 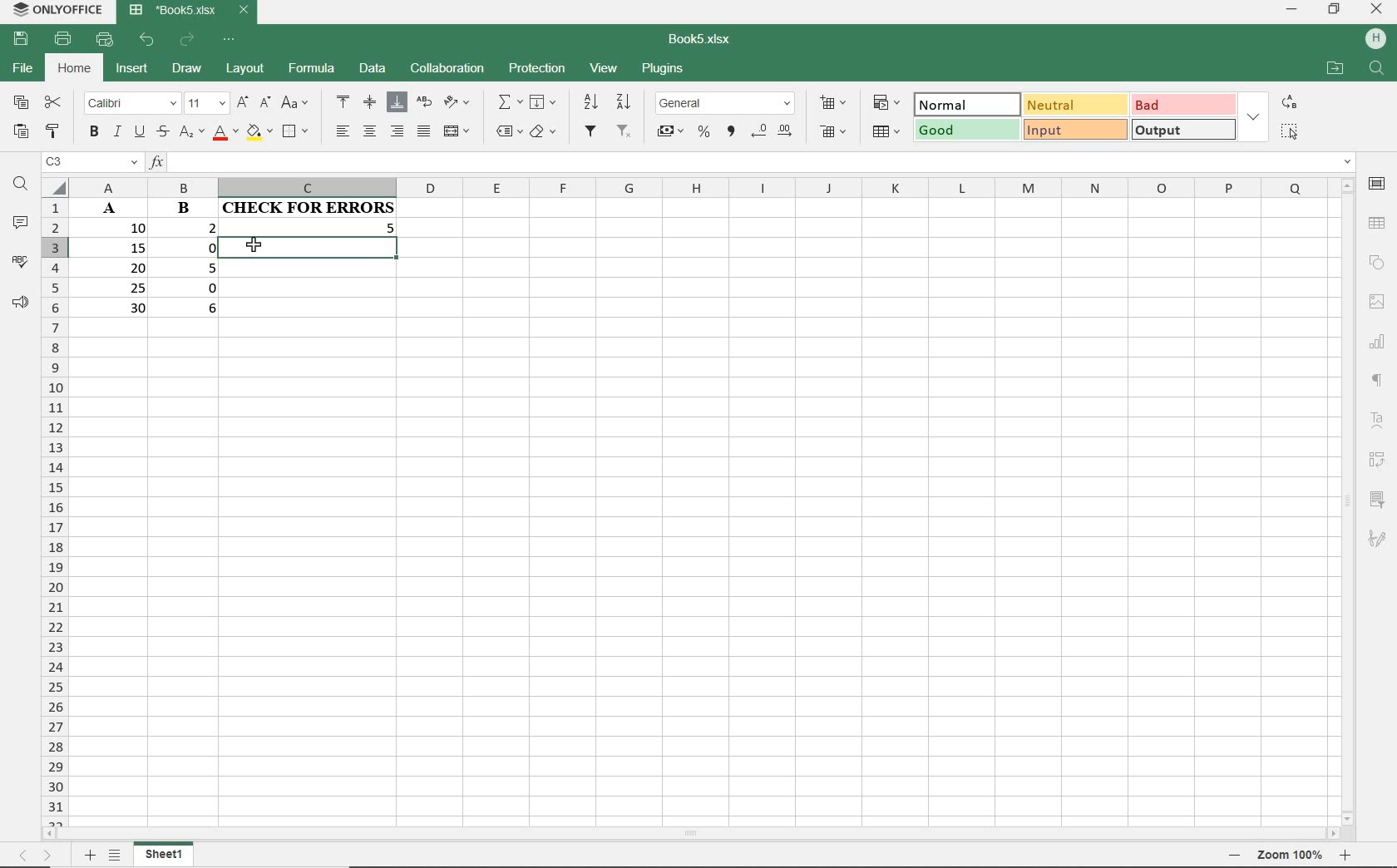 I want to click on ALIGN CENTER, so click(x=370, y=131).